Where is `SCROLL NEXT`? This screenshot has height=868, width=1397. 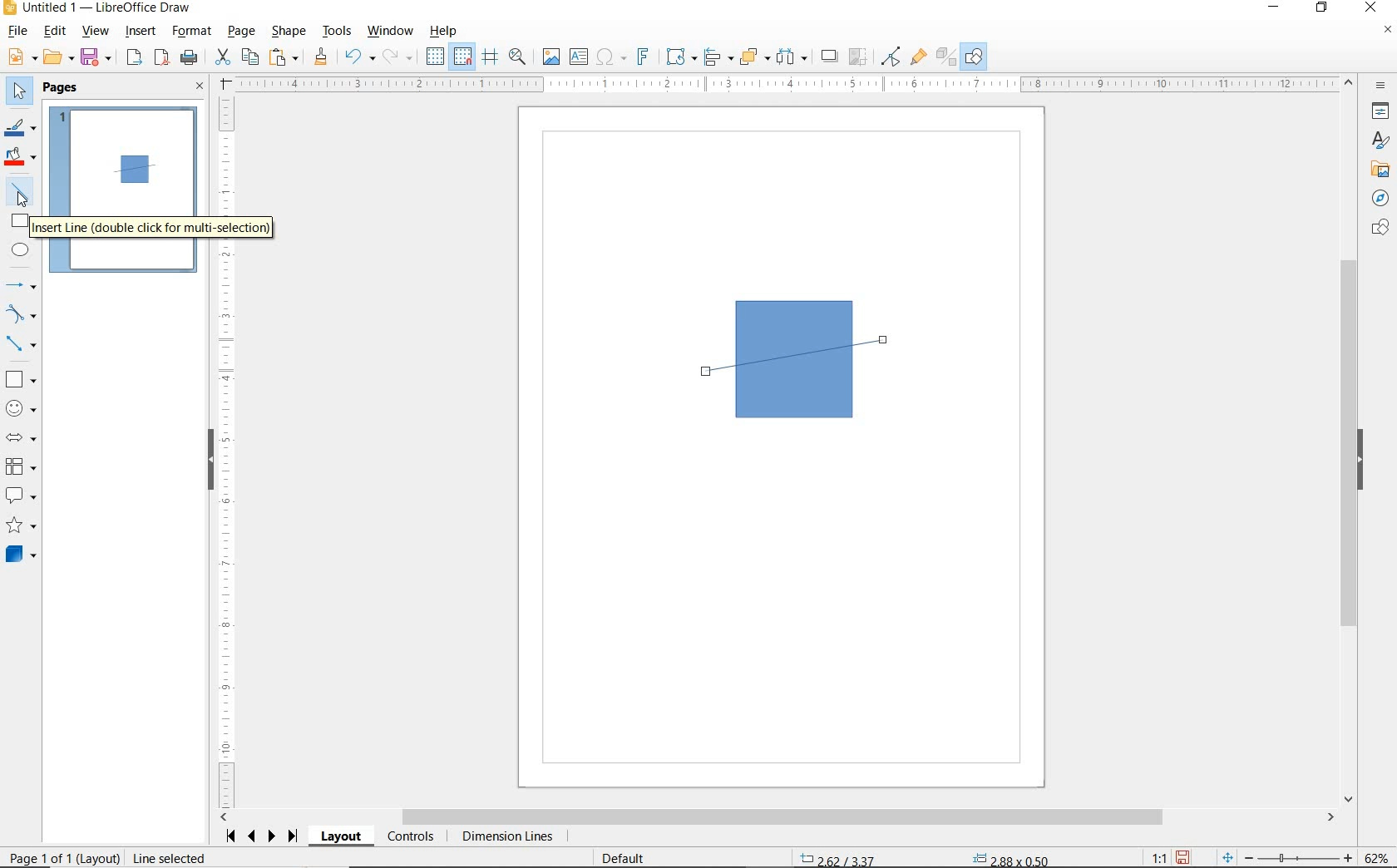 SCROLL NEXT is located at coordinates (263, 836).